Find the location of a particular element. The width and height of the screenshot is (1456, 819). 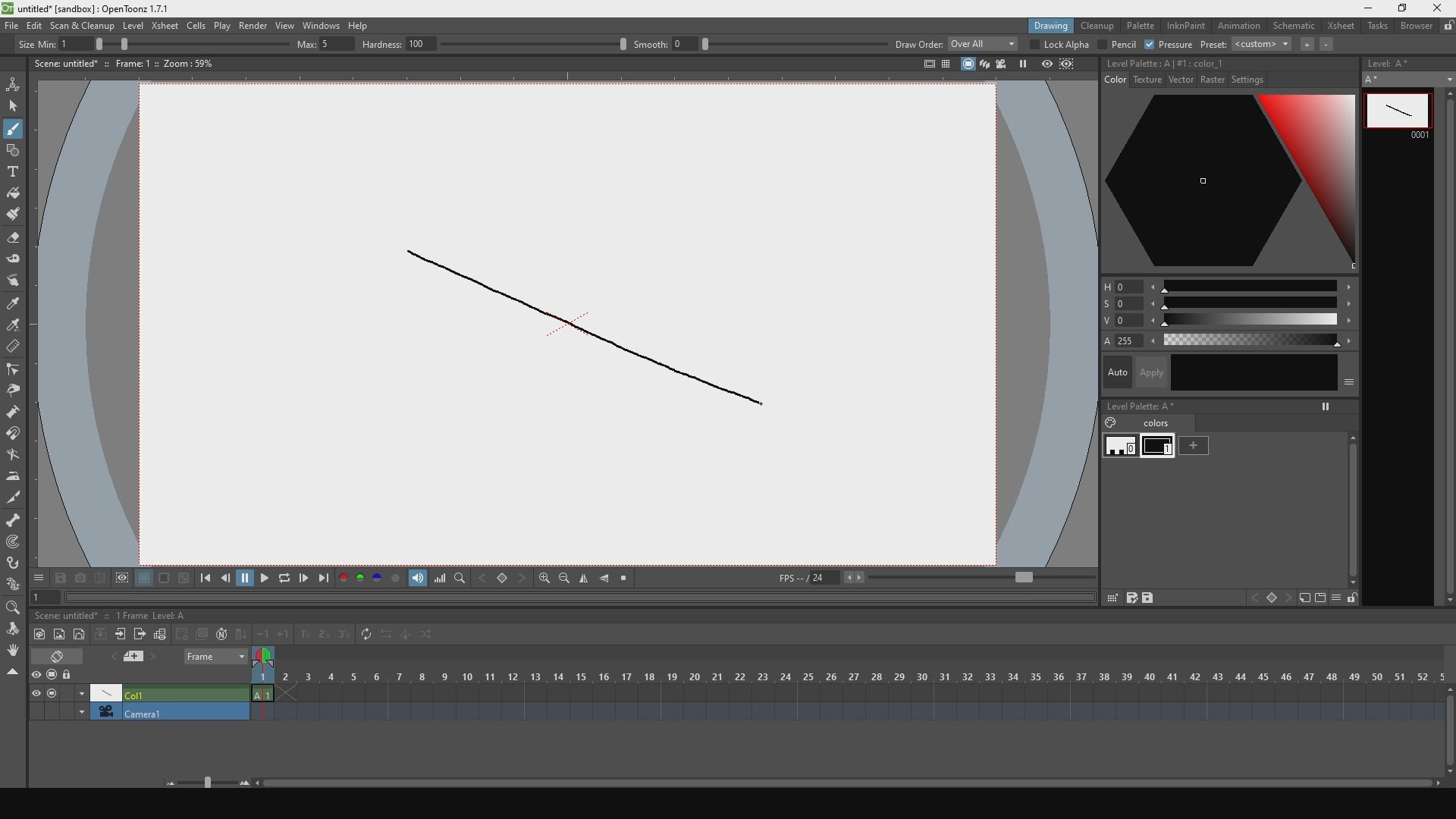

white is located at coordinates (1116, 447).